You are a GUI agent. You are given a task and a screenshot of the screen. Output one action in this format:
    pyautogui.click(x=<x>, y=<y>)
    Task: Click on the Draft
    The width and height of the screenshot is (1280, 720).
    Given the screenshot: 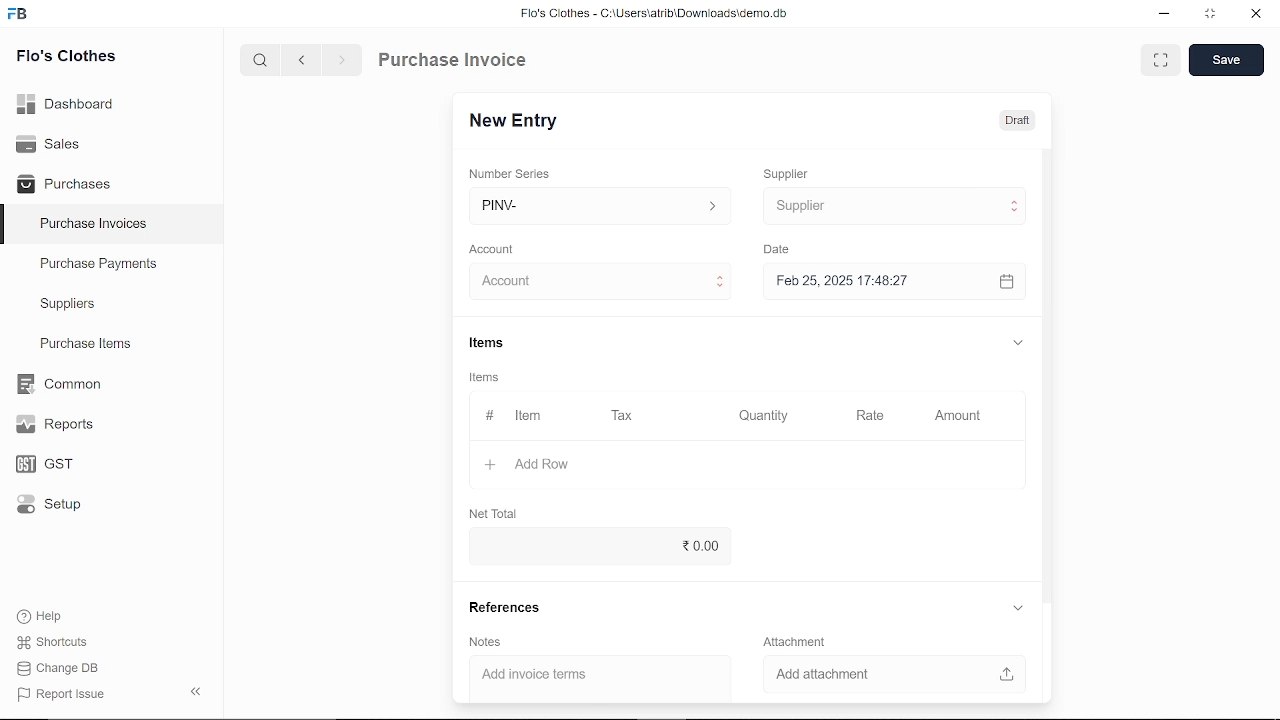 What is the action you would take?
    pyautogui.click(x=1017, y=121)
    